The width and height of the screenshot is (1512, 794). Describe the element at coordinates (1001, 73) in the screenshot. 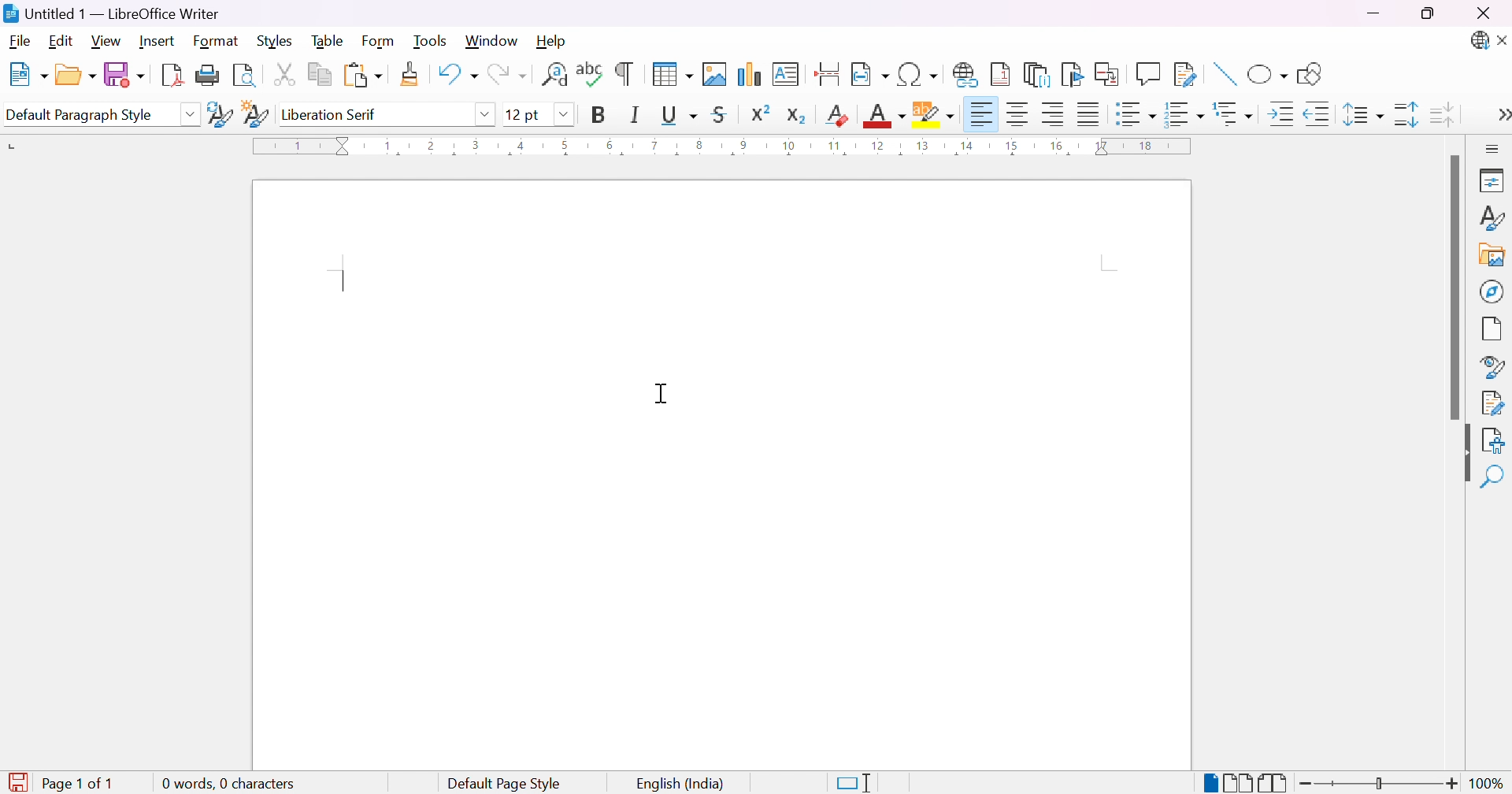

I see `Insert footnote` at that location.